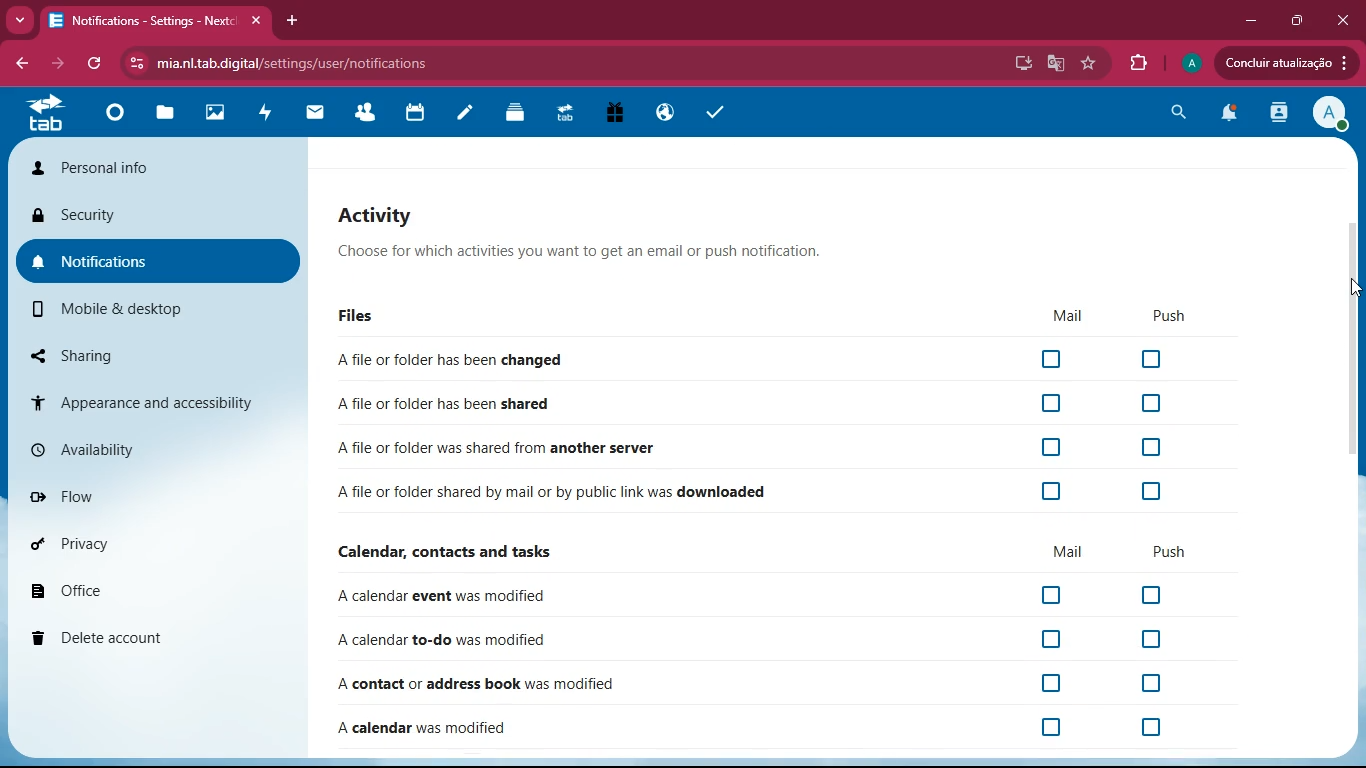 The image size is (1366, 768). Describe the element at coordinates (266, 118) in the screenshot. I see `activity` at that location.